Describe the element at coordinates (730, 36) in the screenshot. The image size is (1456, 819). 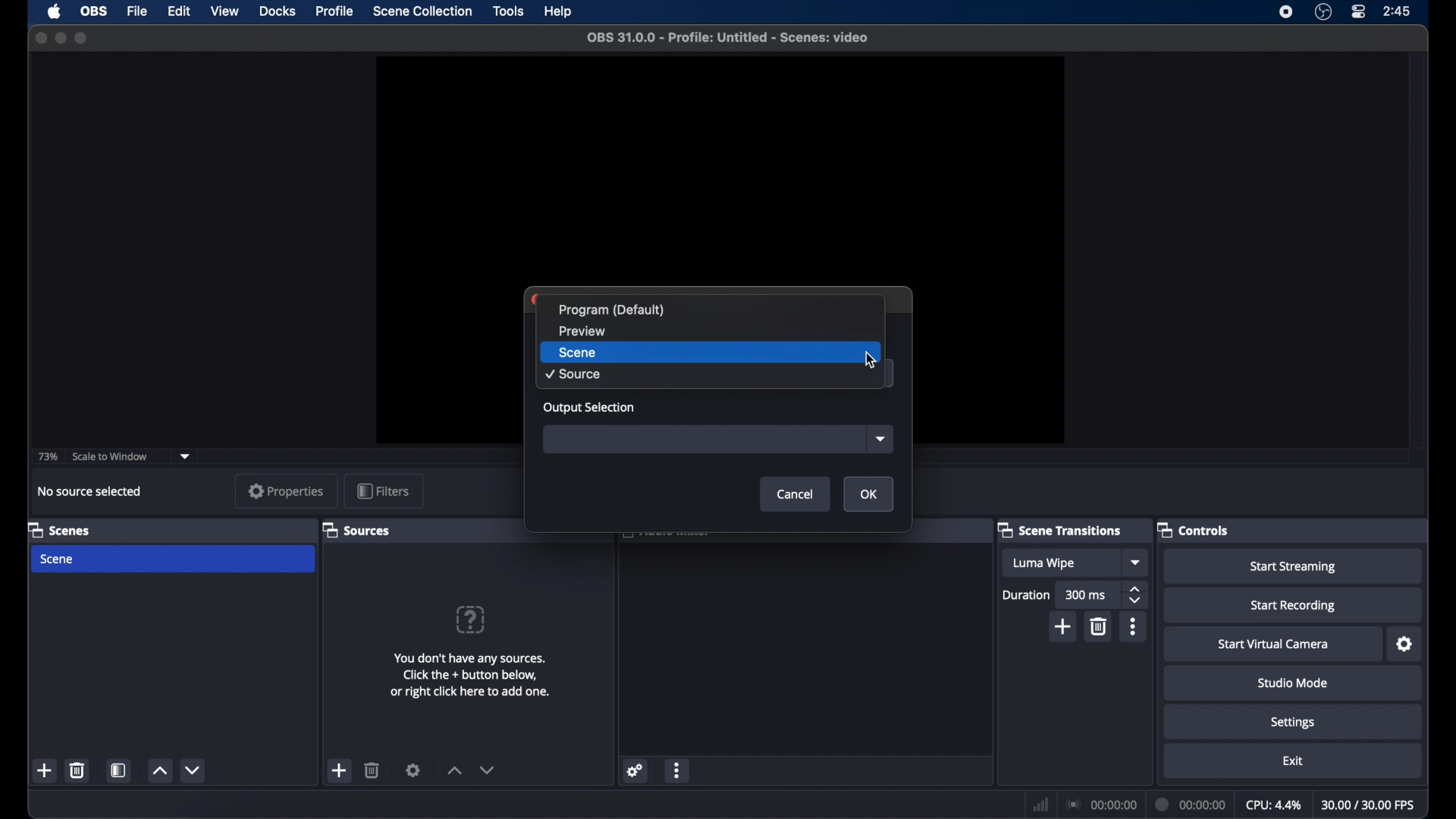
I see `file name` at that location.